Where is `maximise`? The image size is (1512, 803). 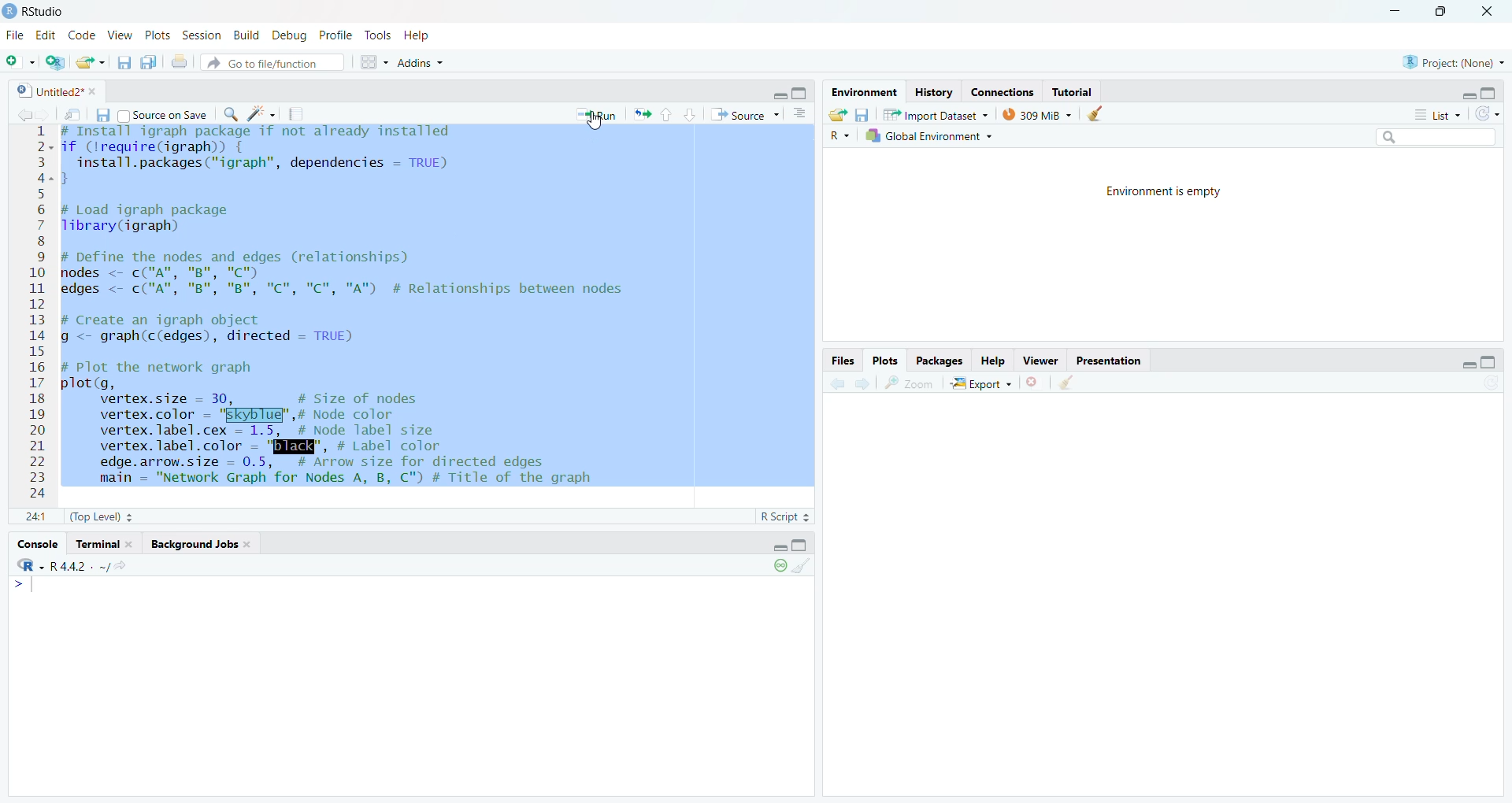 maximise is located at coordinates (801, 92).